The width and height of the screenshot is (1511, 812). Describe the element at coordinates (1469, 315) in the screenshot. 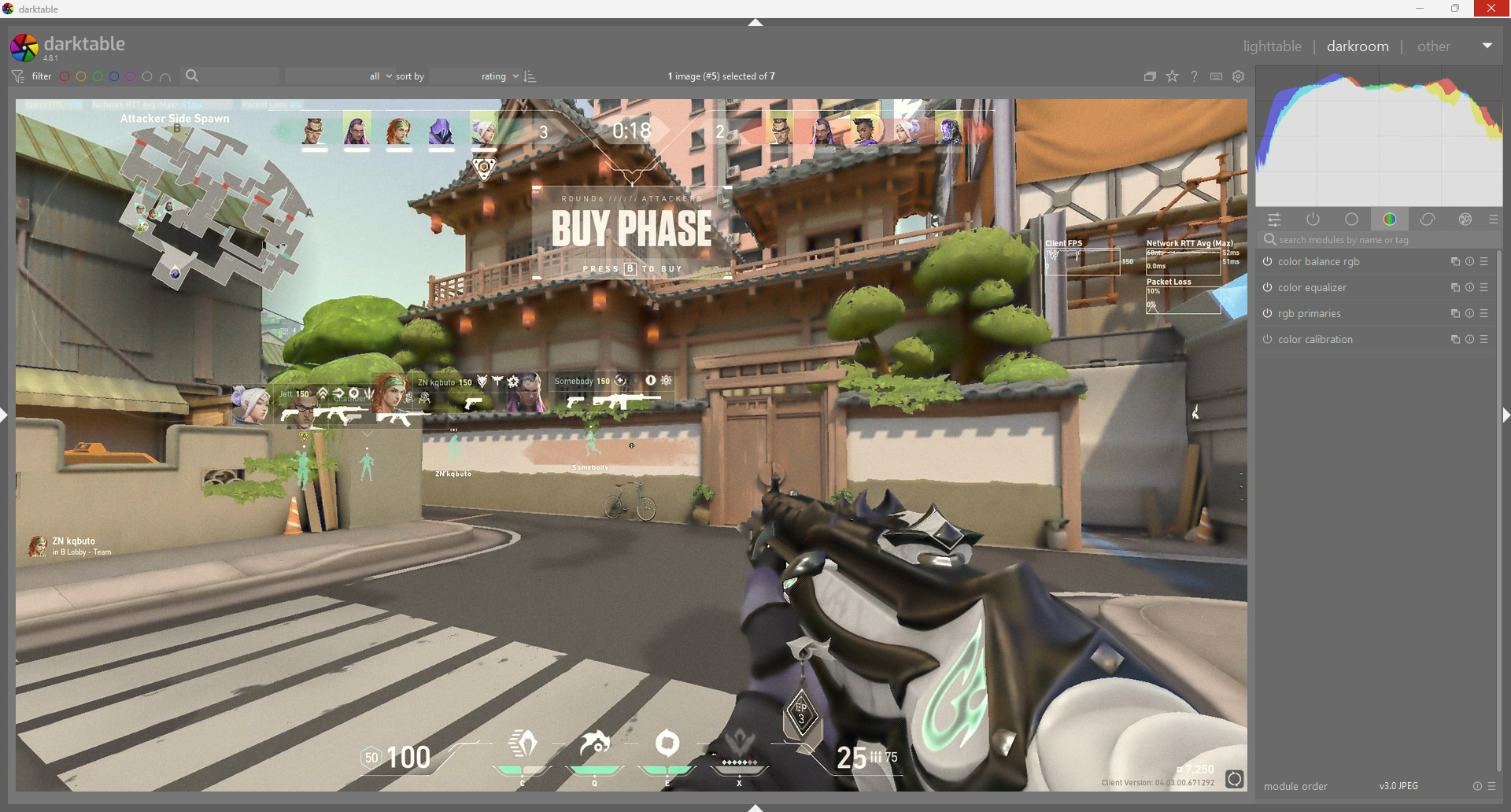

I see `reset` at that location.